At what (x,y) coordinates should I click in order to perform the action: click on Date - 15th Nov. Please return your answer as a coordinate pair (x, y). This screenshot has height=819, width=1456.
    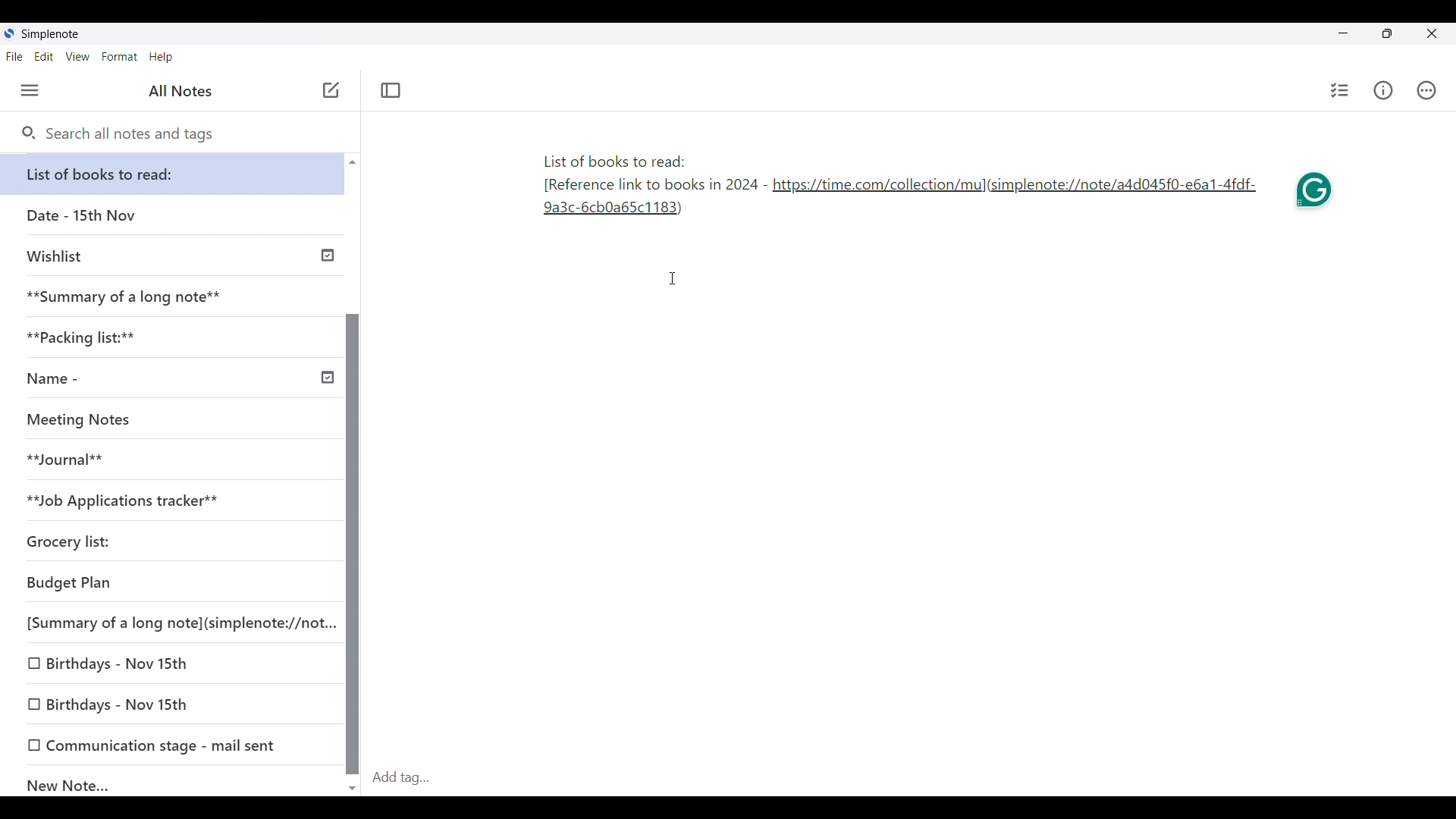
    Looking at the image, I should click on (173, 215).